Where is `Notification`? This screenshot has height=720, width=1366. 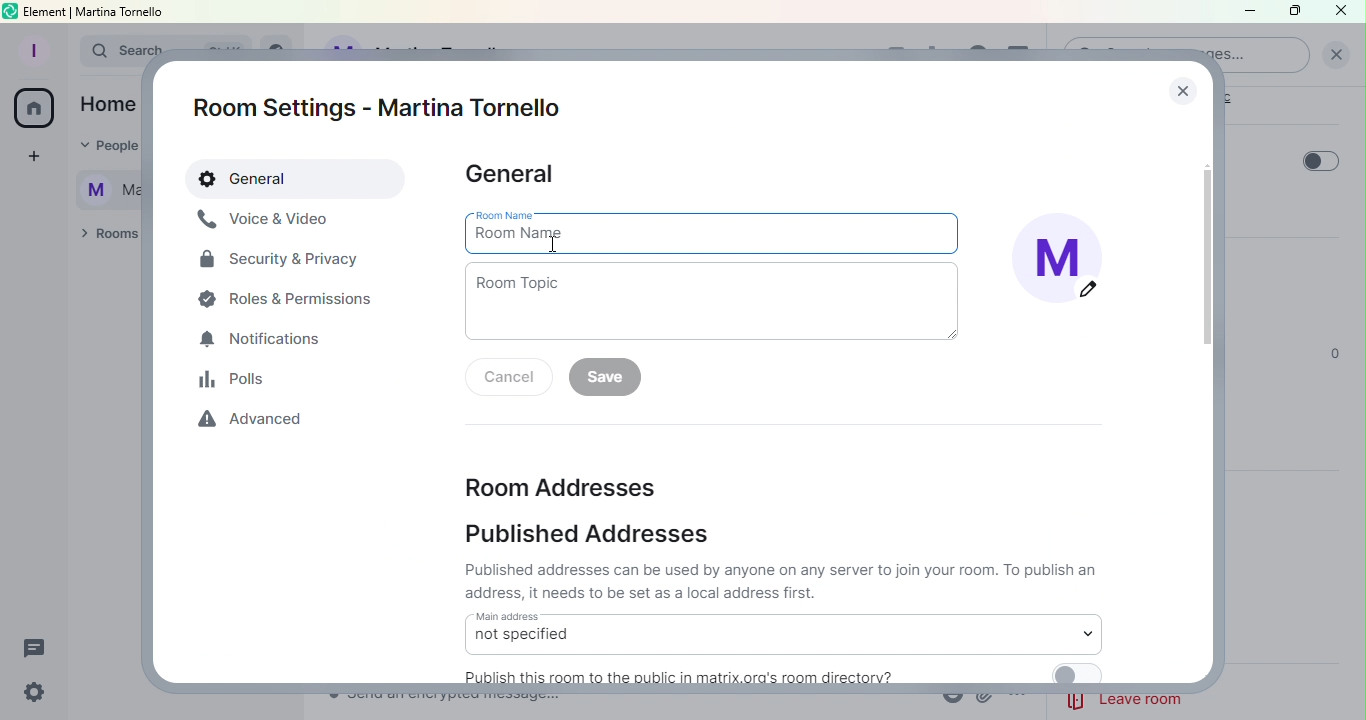
Notification is located at coordinates (263, 341).